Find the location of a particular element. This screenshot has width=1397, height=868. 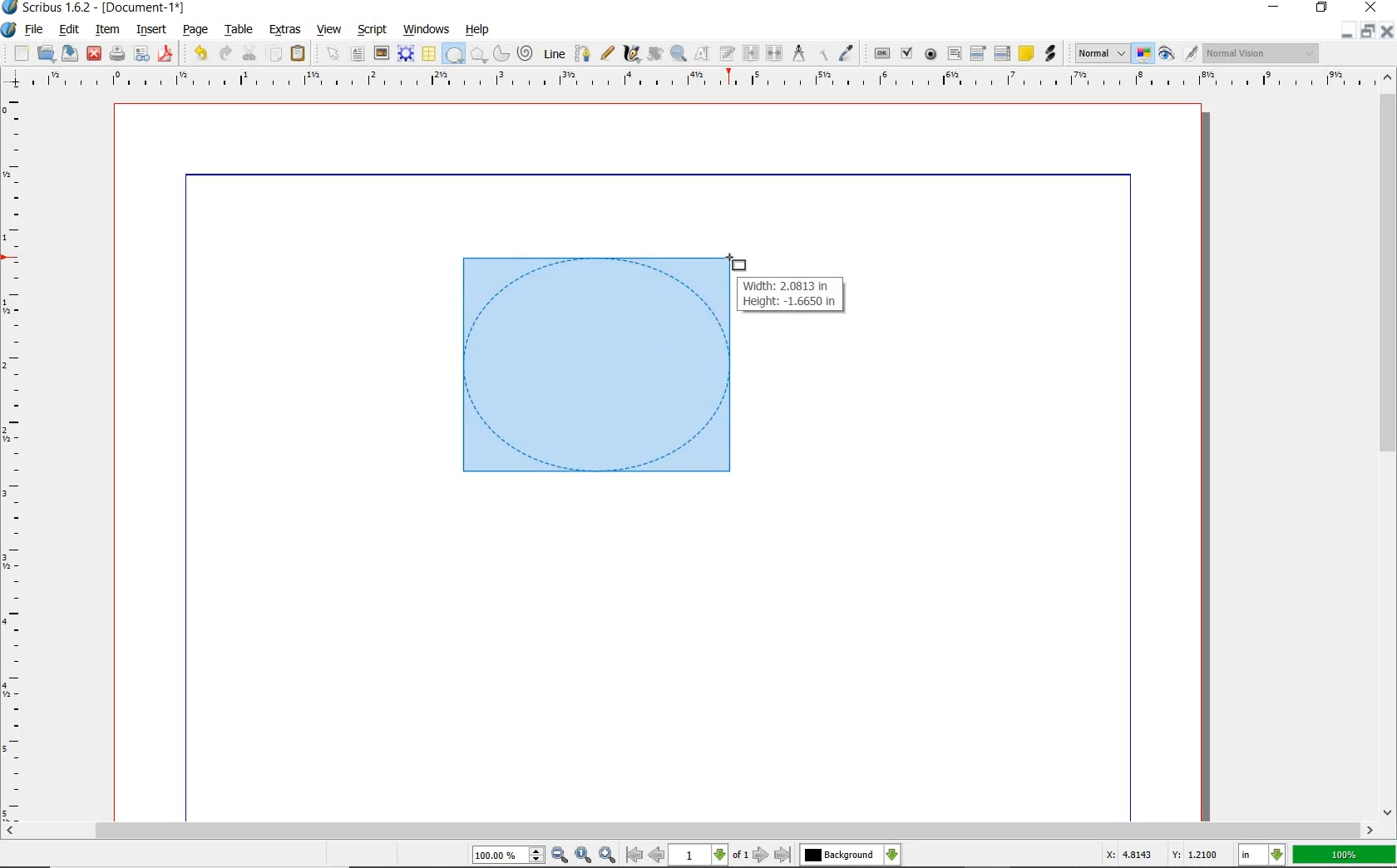

last is located at coordinates (782, 856).